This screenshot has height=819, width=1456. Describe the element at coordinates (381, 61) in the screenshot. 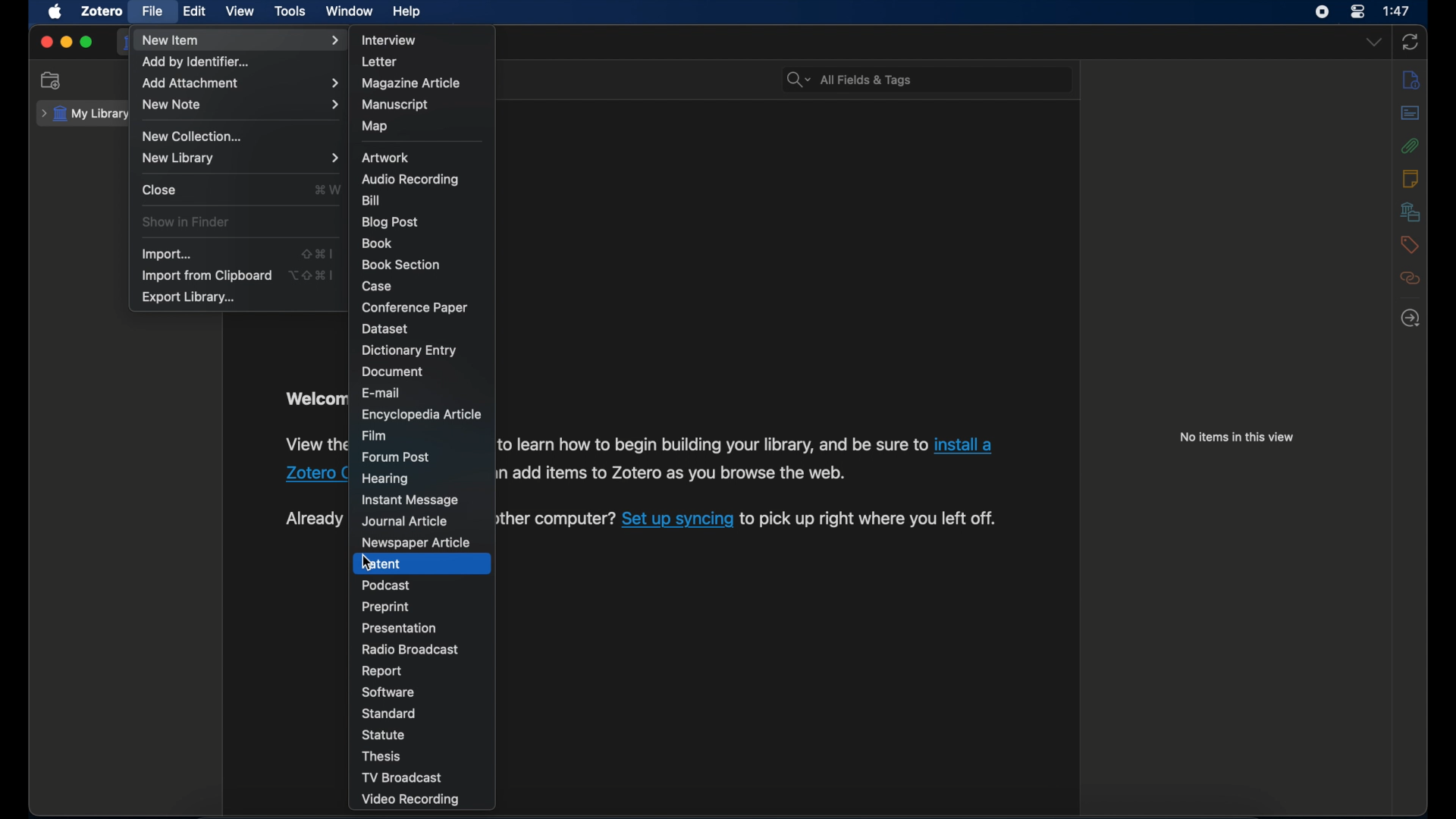

I see `letter` at that location.